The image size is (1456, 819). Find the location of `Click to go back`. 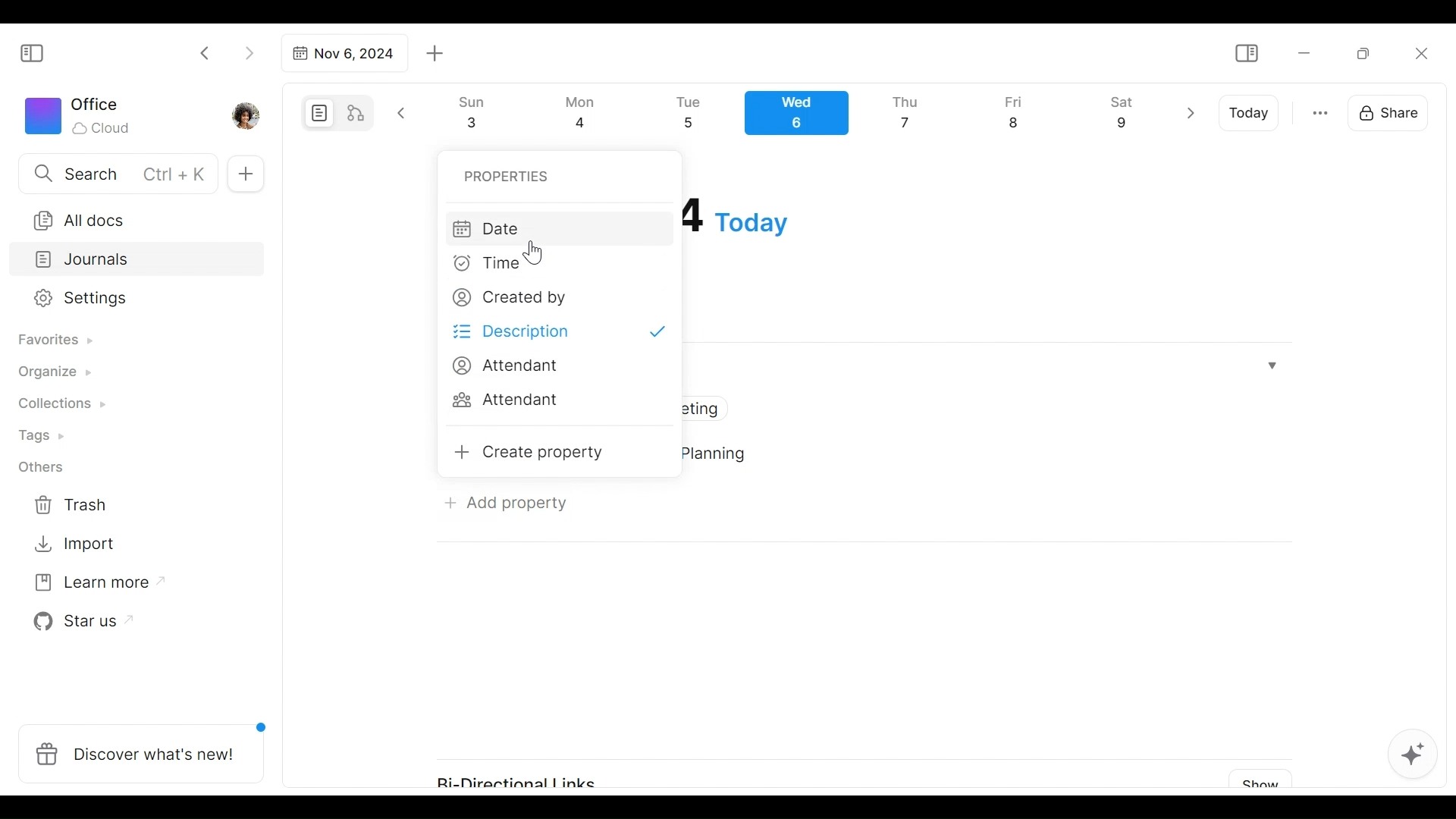

Click to go back is located at coordinates (206, 52).